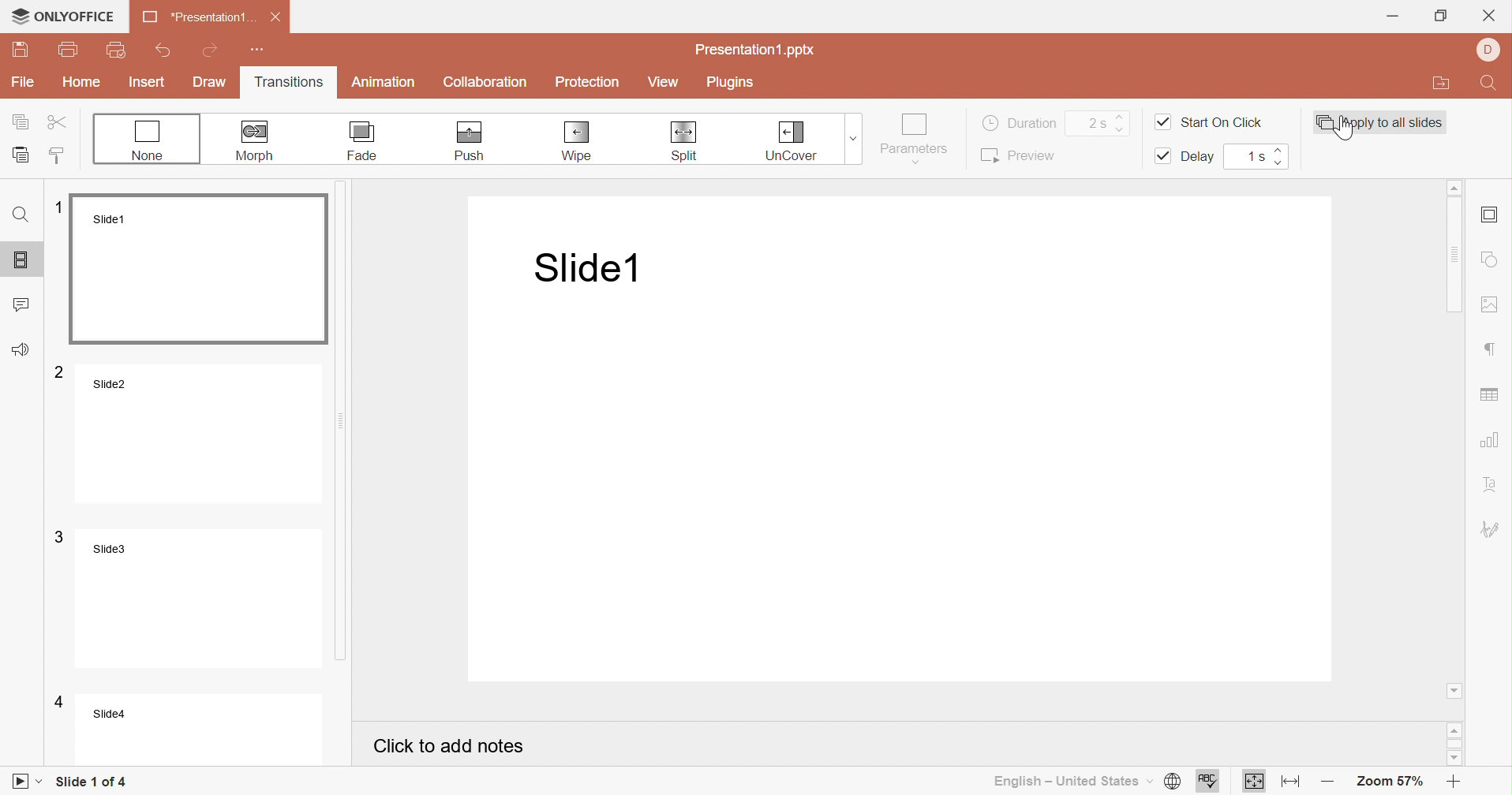 Image resolution: width=1512 pixels, height=795 pixels. What do you see at coordinates (1392, 784) in the screenshot?
I see `Zoom 57%` at bounding box center [1392, 784].